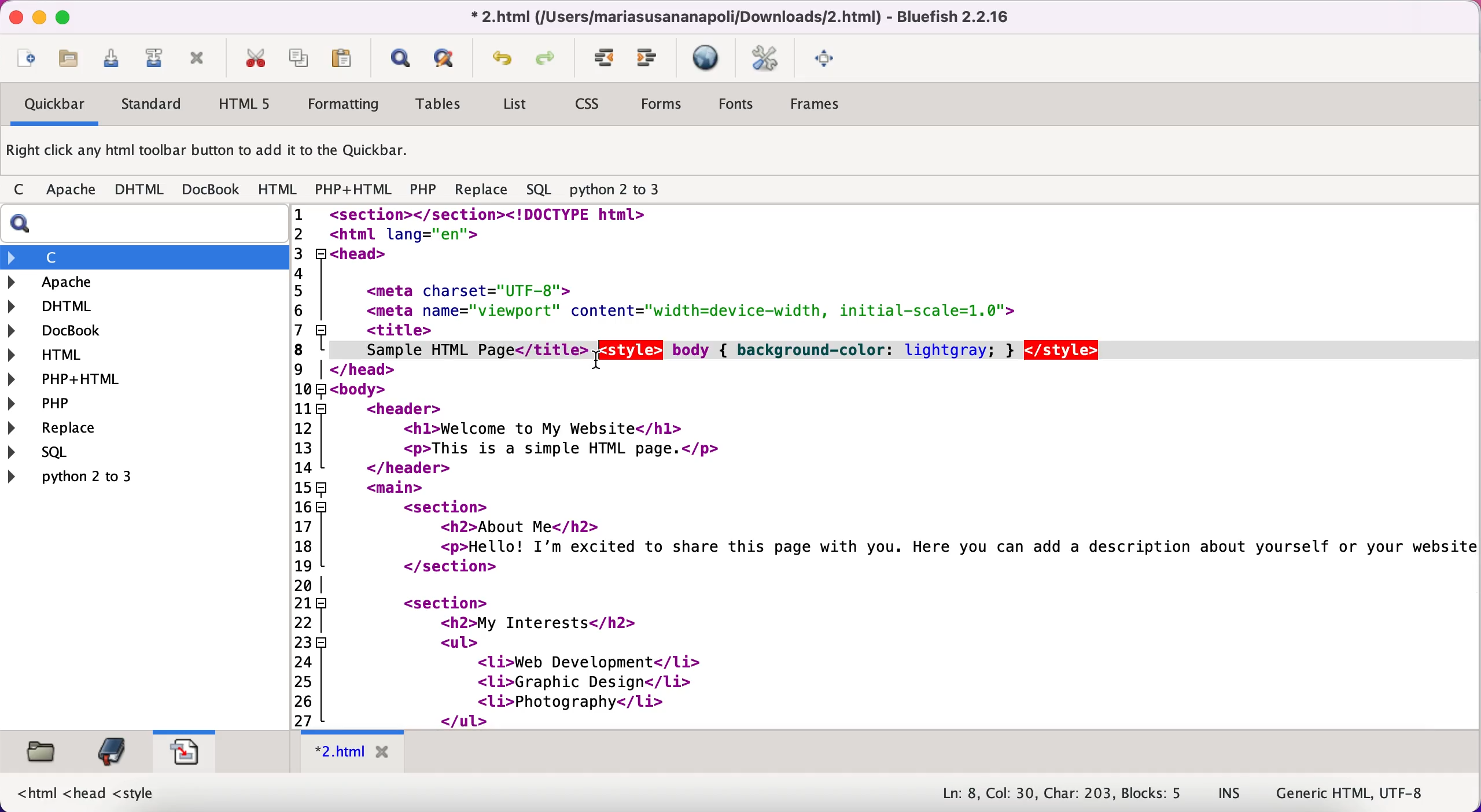 The image size is (1481, 812). What do you see at coordinates (447, 58) in the screenshot?
I see `advanced find and replace` at bounding box center [447, 58].